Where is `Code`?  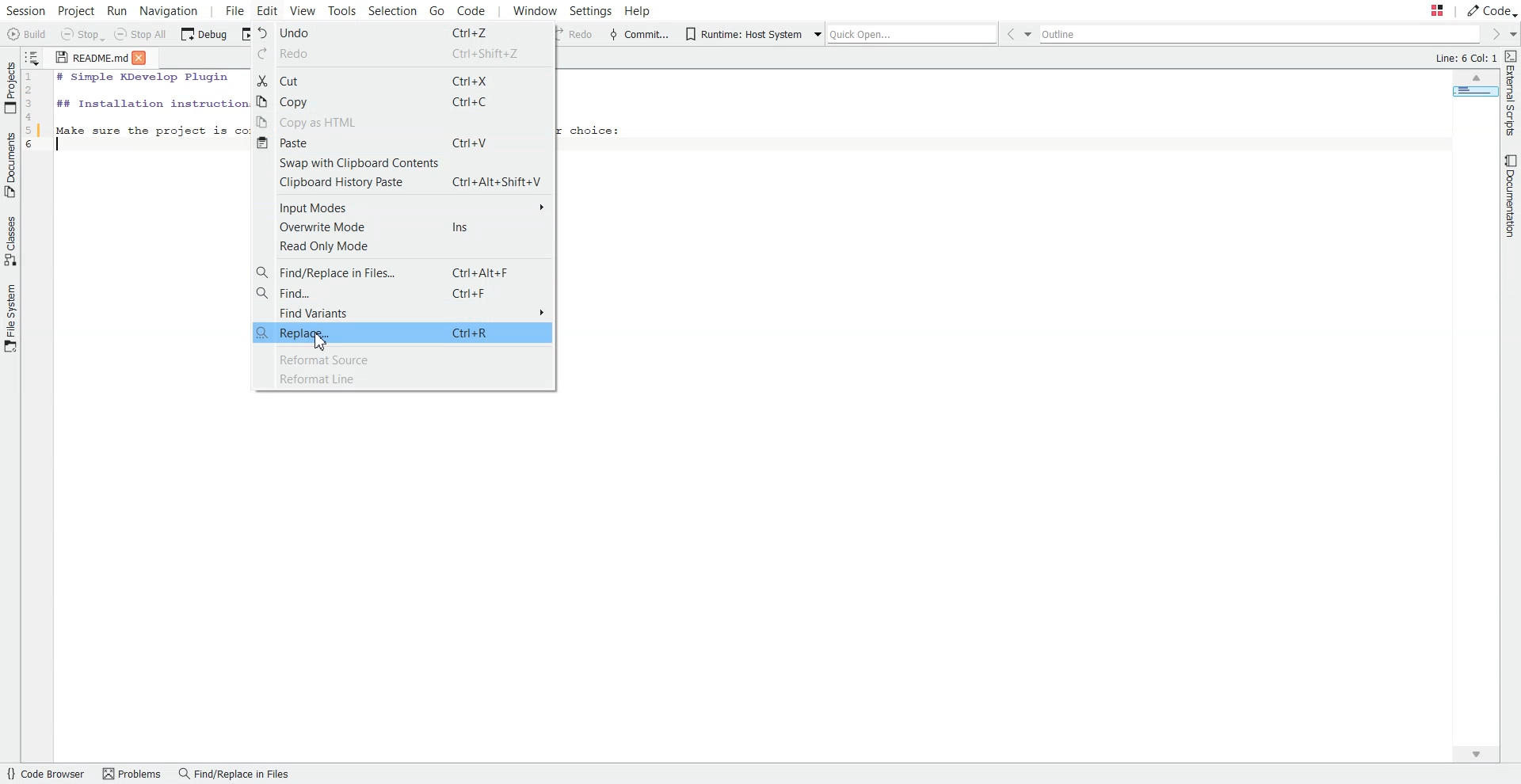 Code is located at coordinates (480, 11).